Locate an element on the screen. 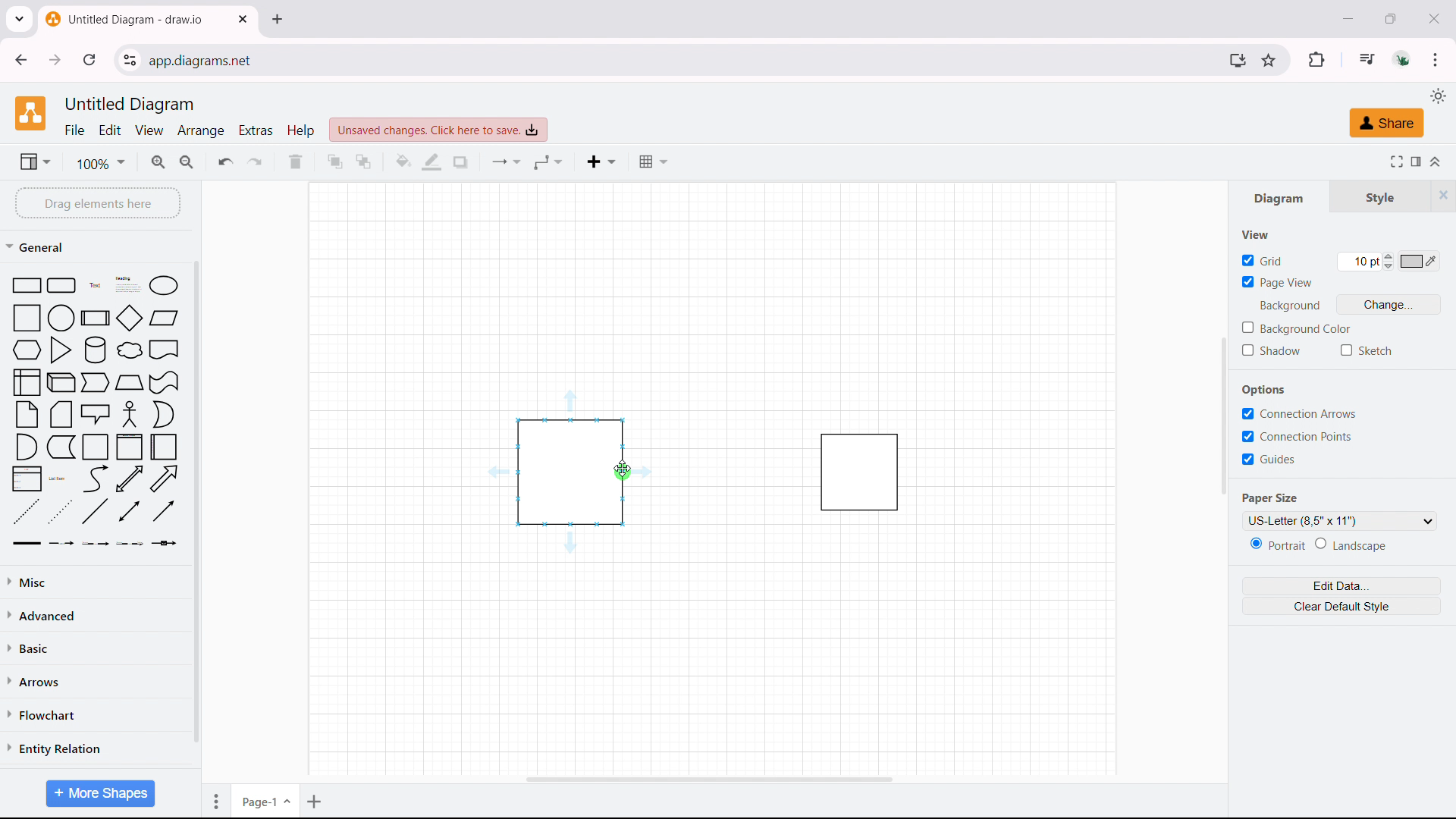 This screenshot has height=819, width=1456. edit is located at coordinates (111, 130).